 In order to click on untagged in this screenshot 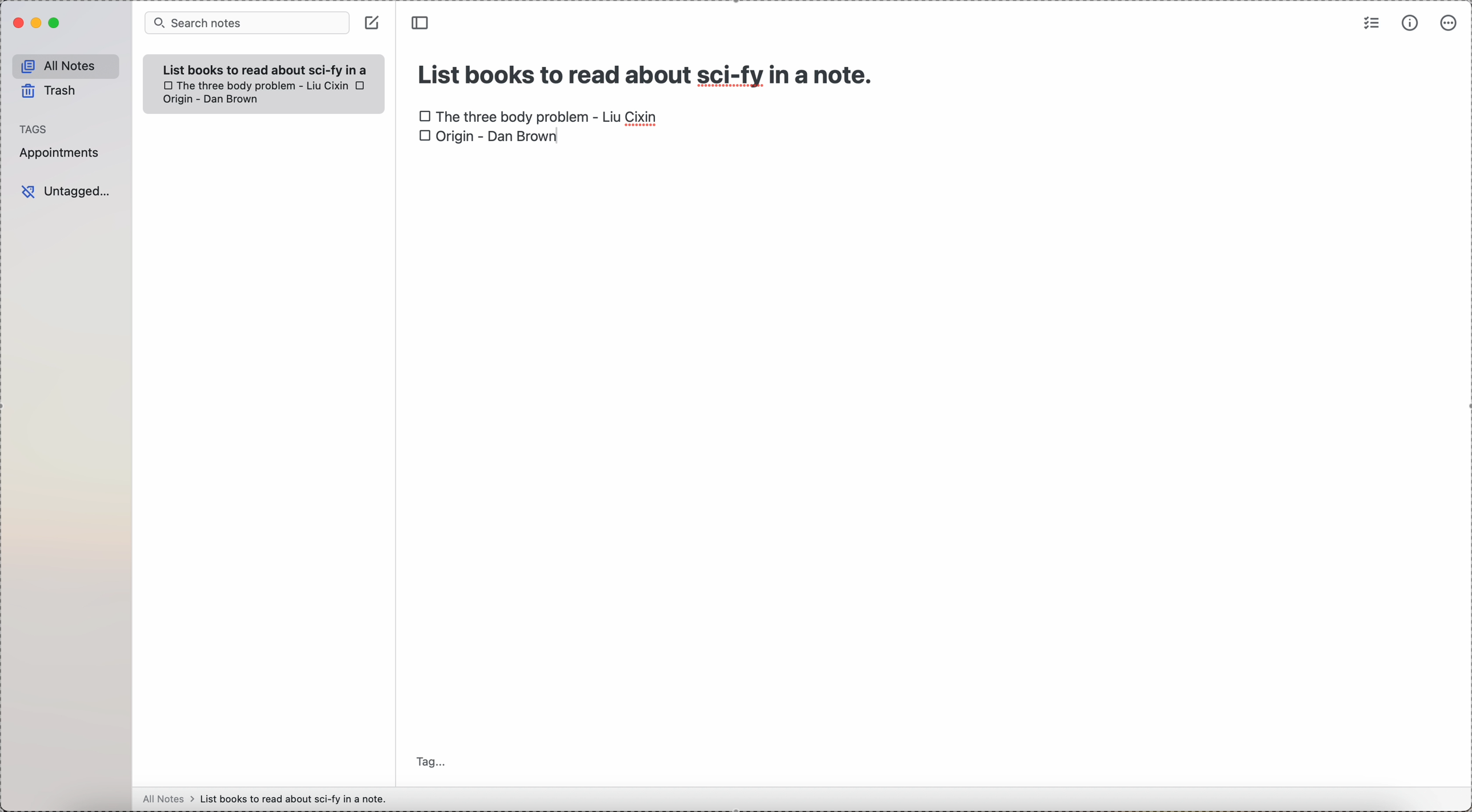, I will do `click(66, 191)`.